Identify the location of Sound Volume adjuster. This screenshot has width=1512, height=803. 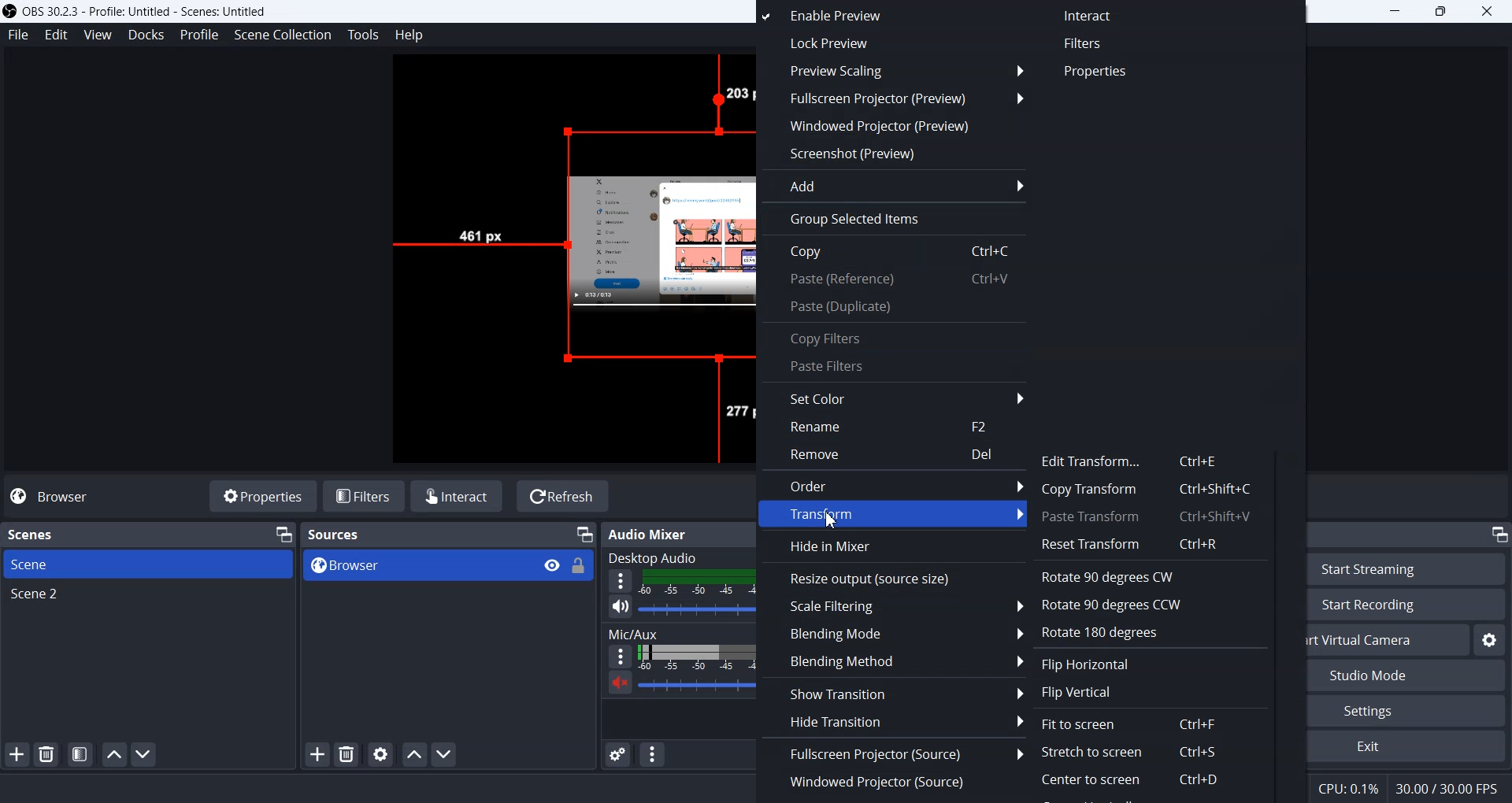
(699, 686).